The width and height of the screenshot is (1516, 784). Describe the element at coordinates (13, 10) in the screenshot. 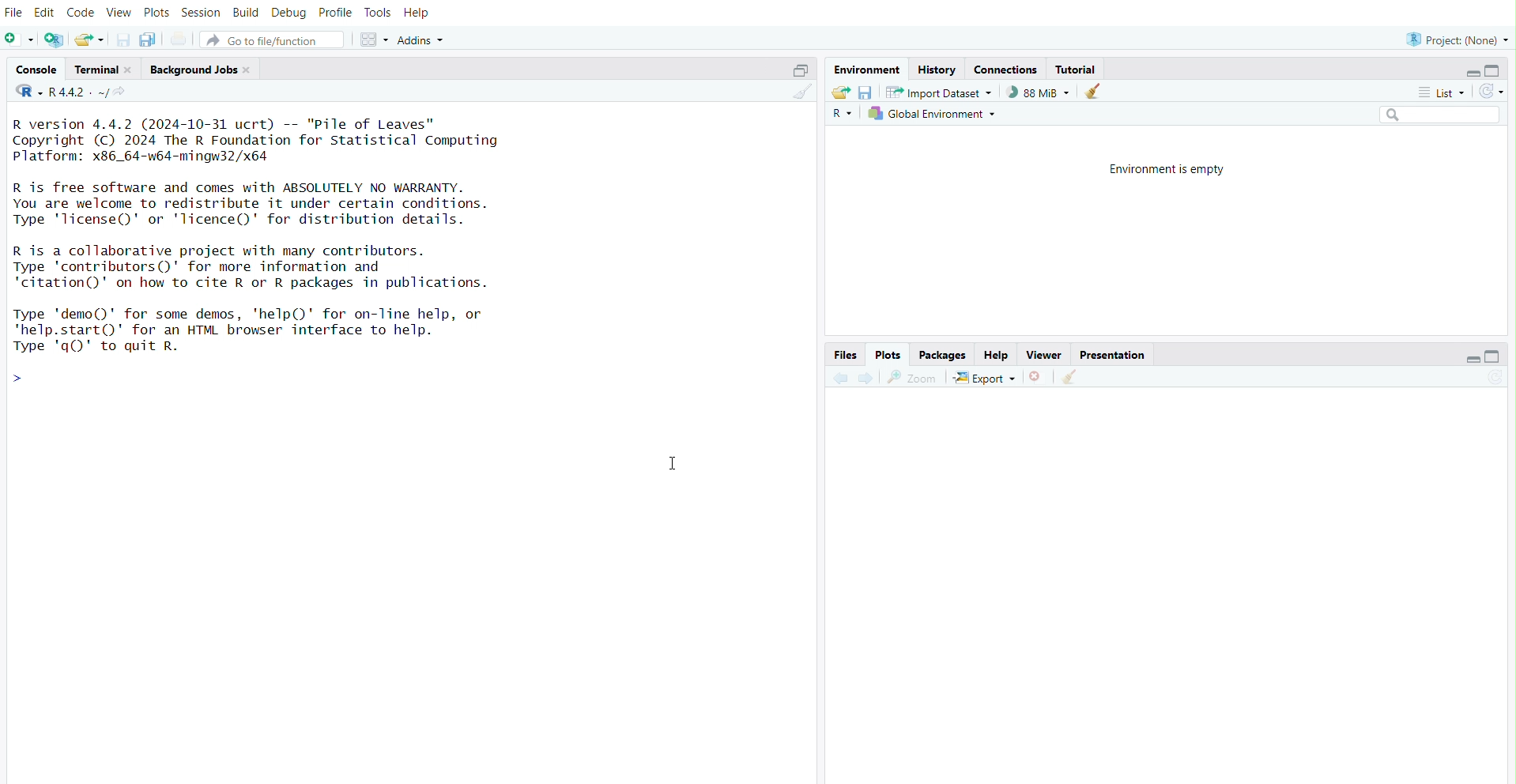

I see `file` at that location.